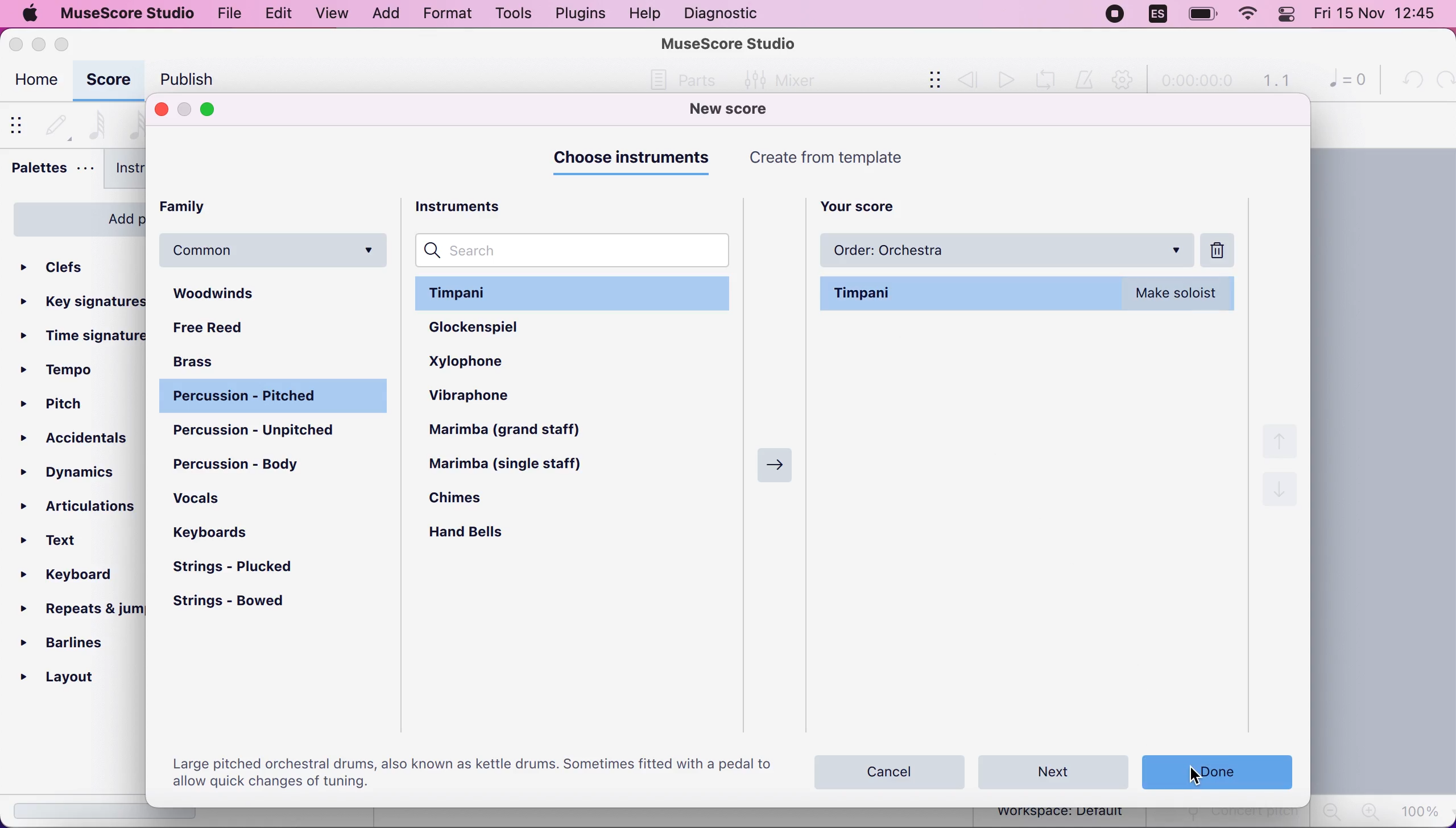 This screenshot has width=1456, height=828. Describe the element at coordinates (276, 12) in the screenshot. I see `edit` at that location.